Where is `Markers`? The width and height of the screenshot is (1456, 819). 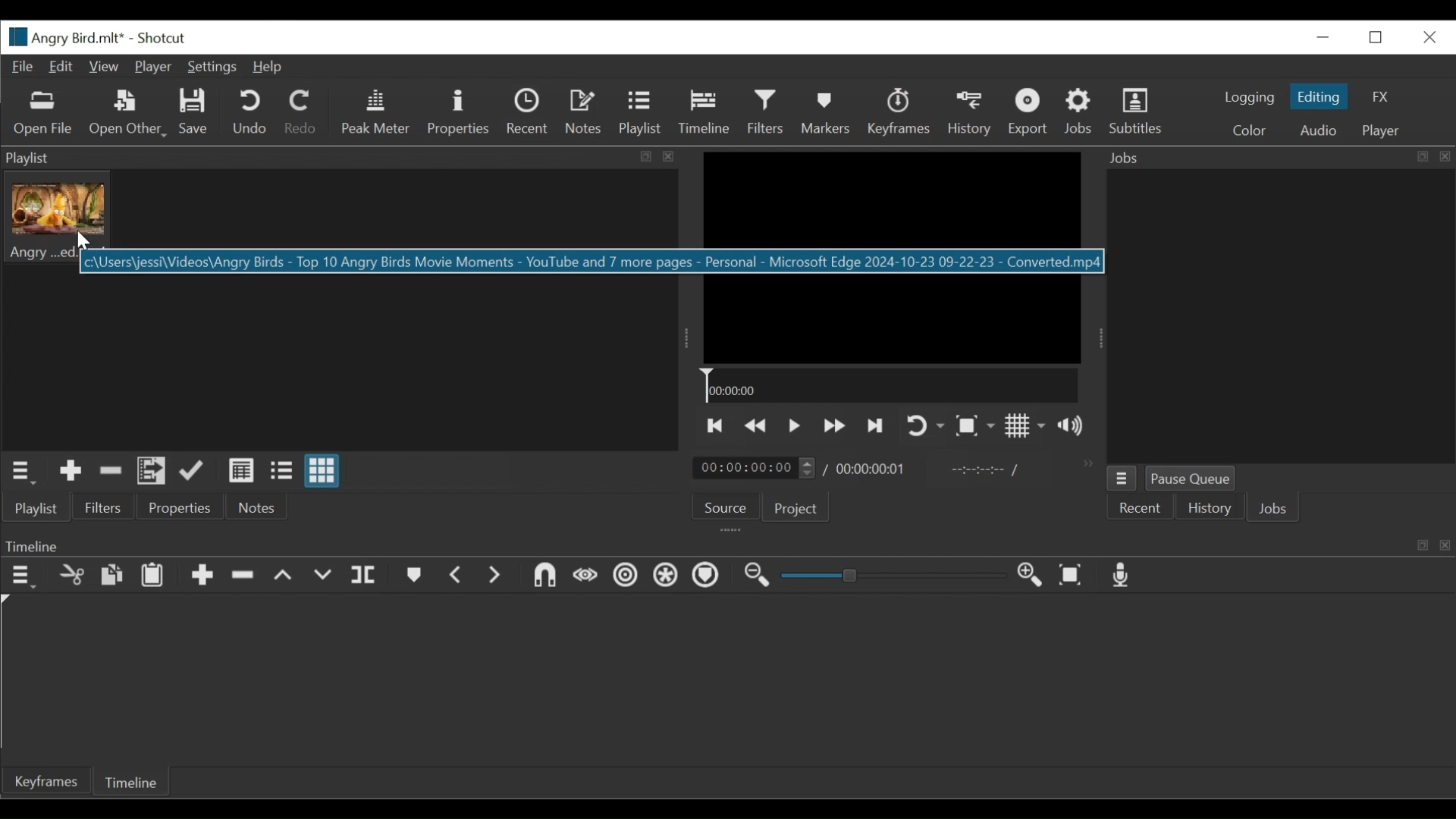 Markers is located at coordinates (827, 112).